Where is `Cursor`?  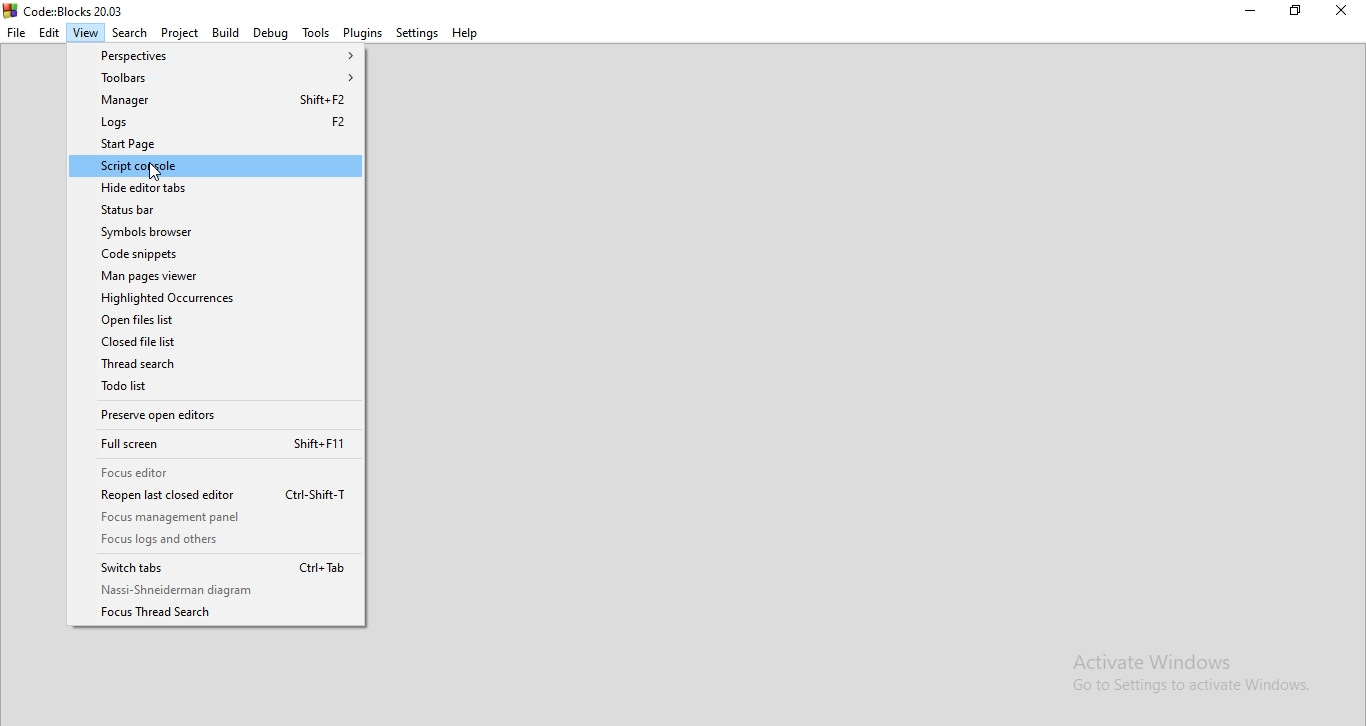
Cursor is located at coordinates (159, 173).